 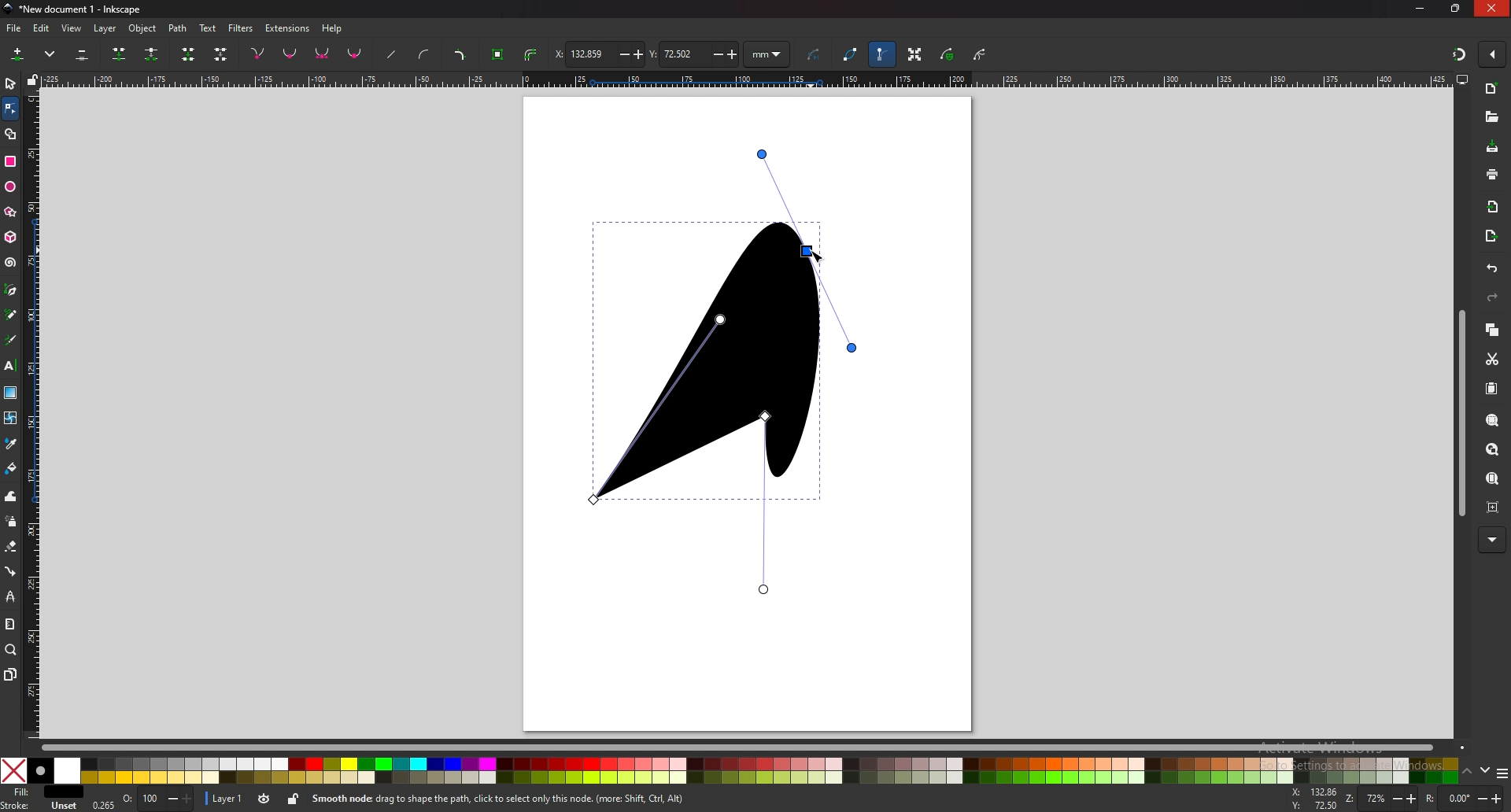 I want to click on path outline, so click(x=849, y=53).